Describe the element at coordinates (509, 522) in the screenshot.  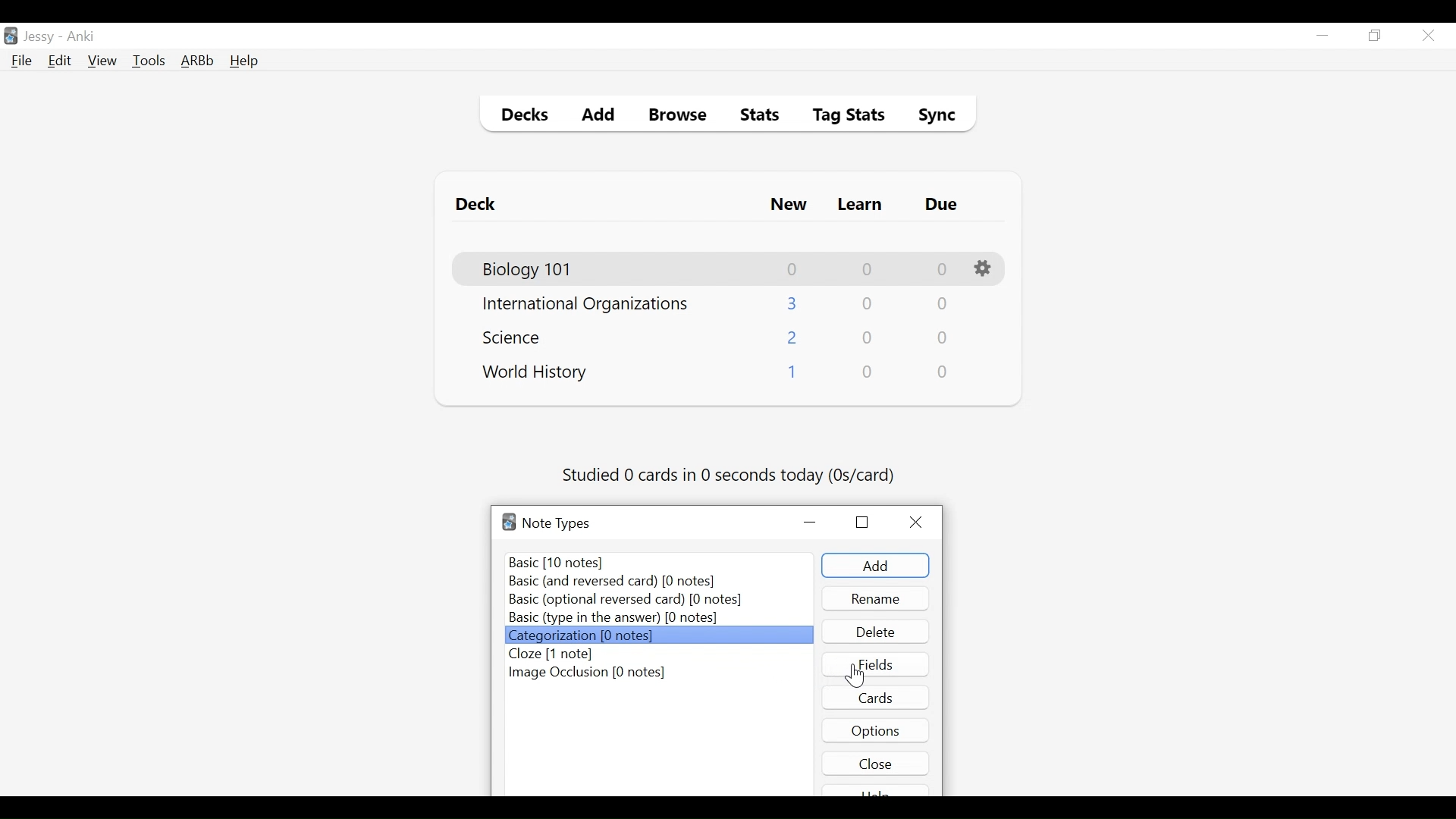
I see `Software logo` at that location.